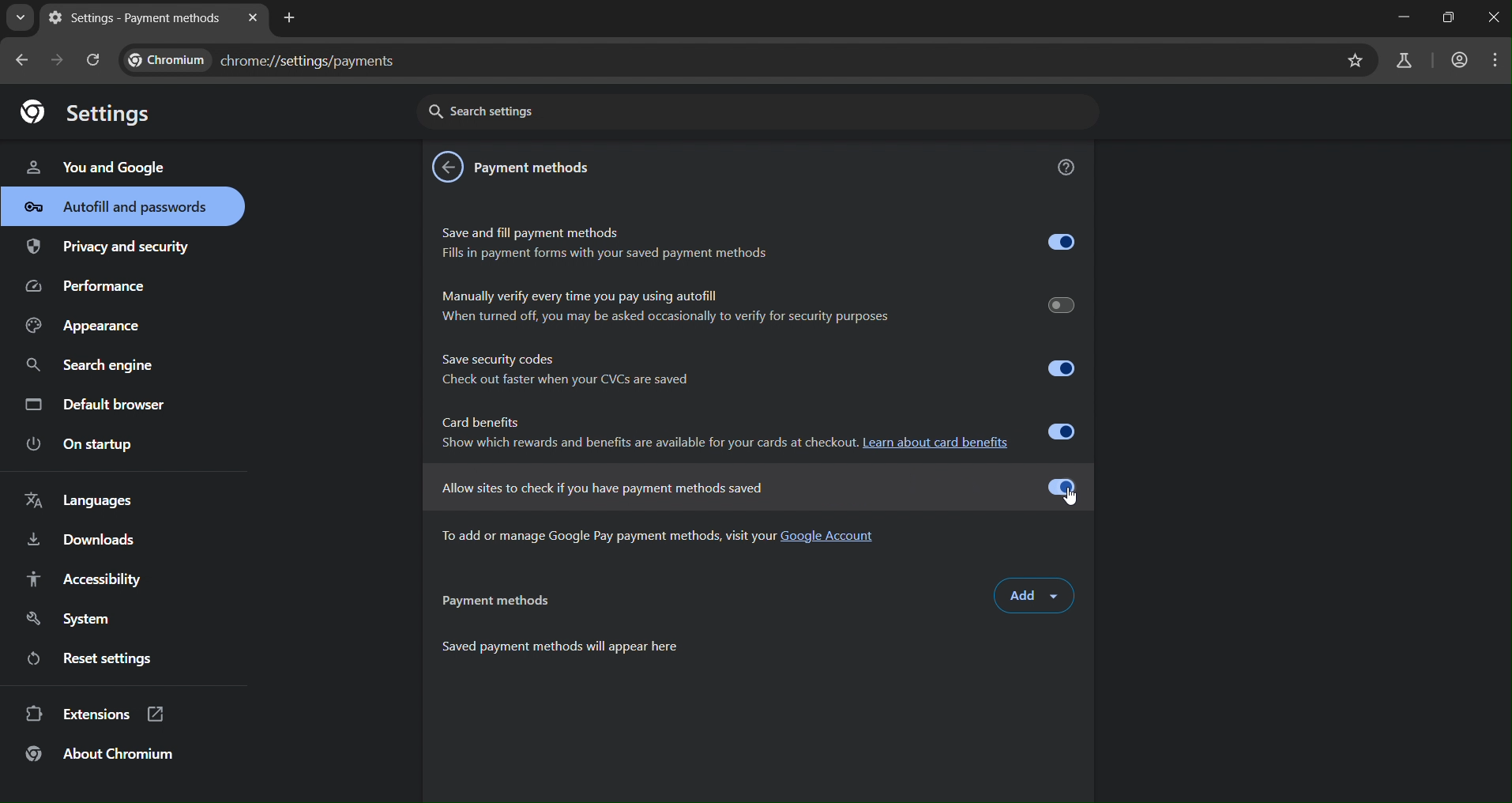 Image resolution: width=1512 pixels, height=803 pixels. I want to click on Manually verify every time you pay using autofill
When turned off, you may be asked occasionally to verify for security purposes, so click(753, 306).